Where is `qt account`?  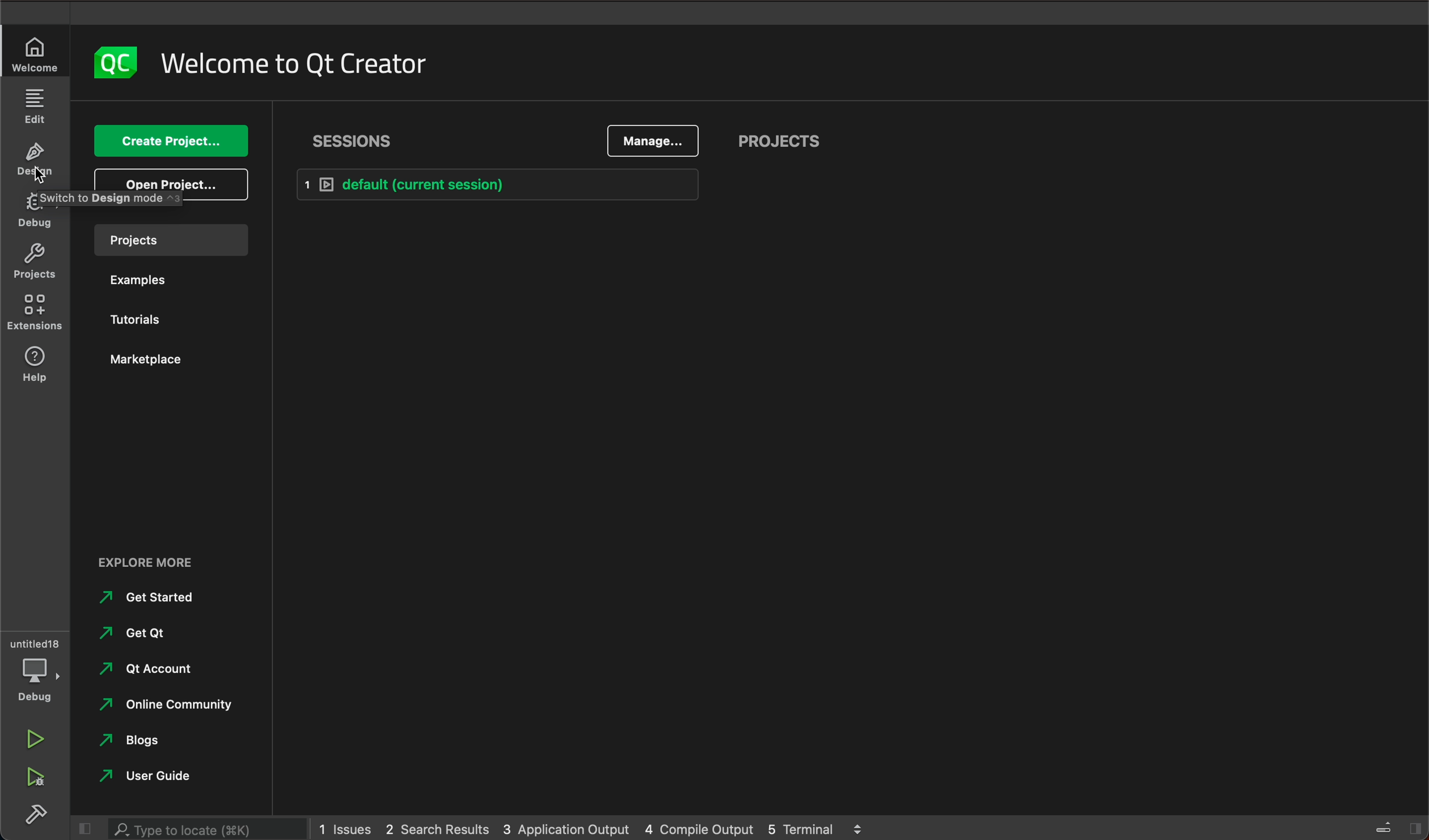 qt account is located at coordinates (146, 669).